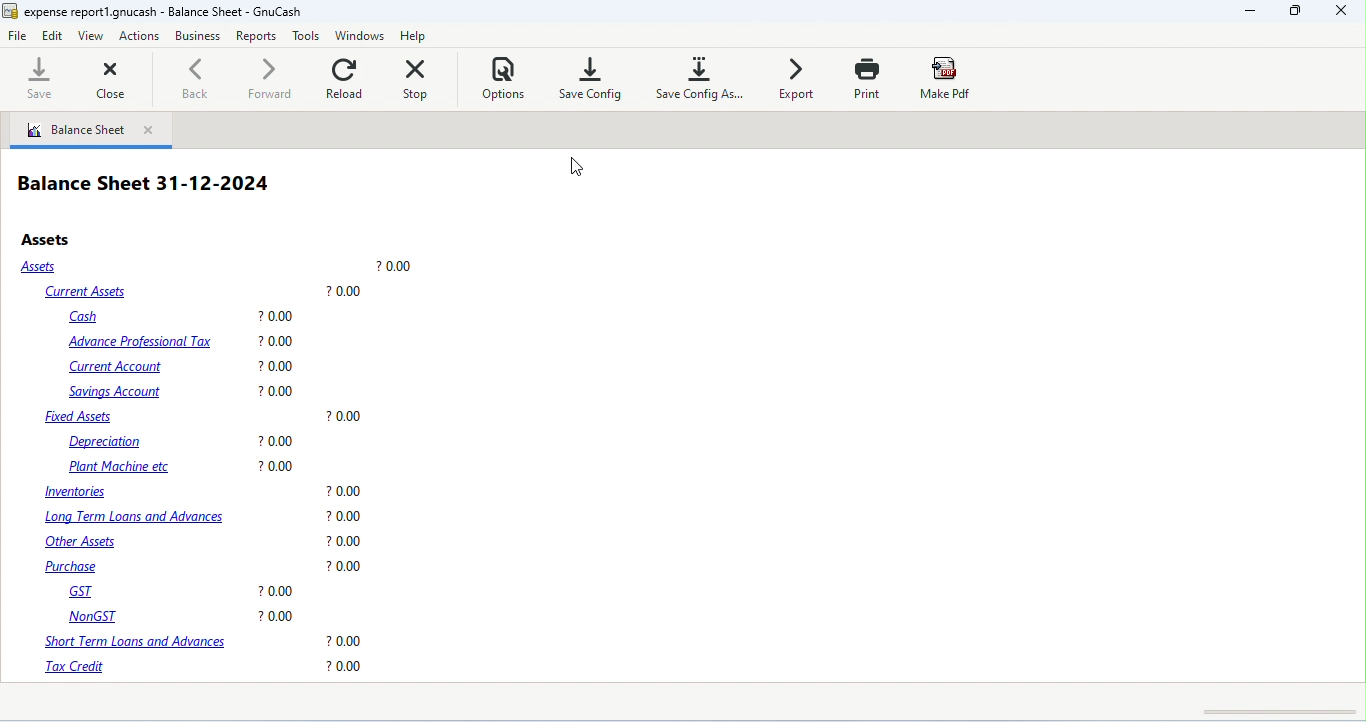 The image size is (1366, 722). Describe the element at coordinates (185, 593) in the screenshot. I see `GST` at that location.